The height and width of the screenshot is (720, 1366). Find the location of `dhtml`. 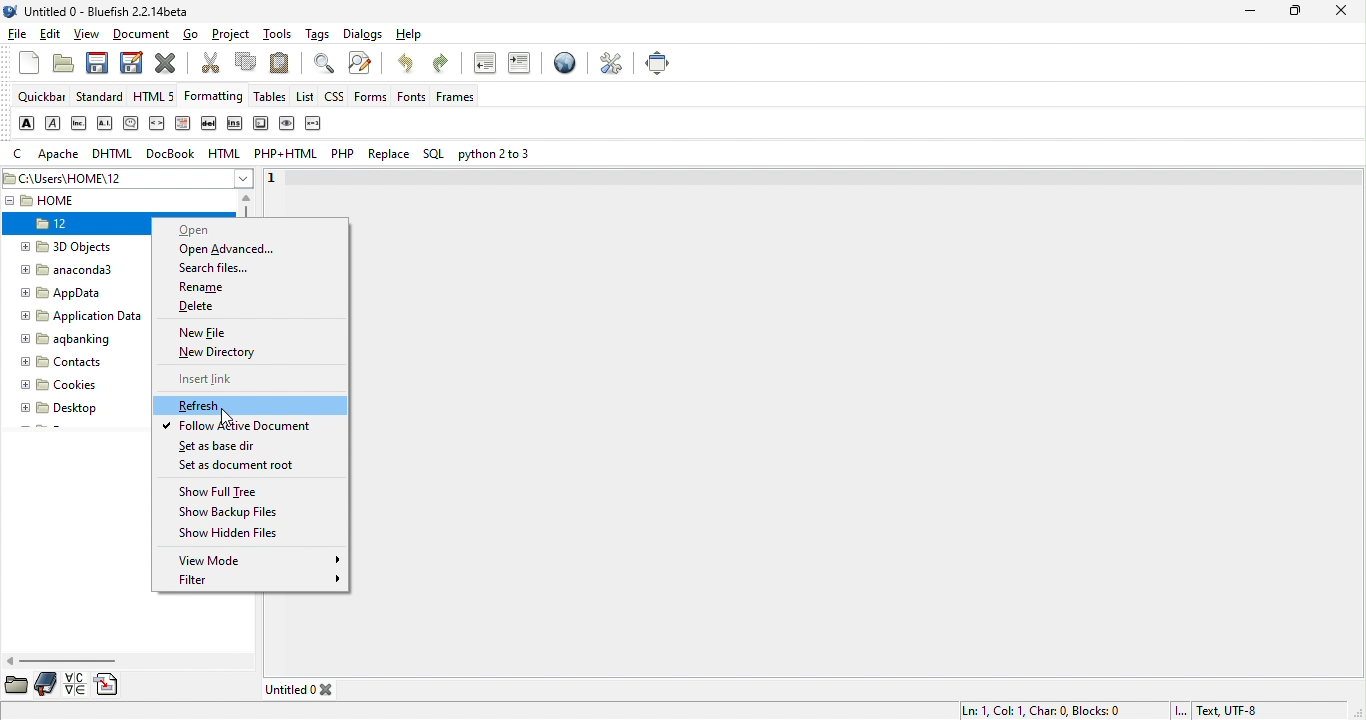

dhtml is located at coordinates (114, 154).